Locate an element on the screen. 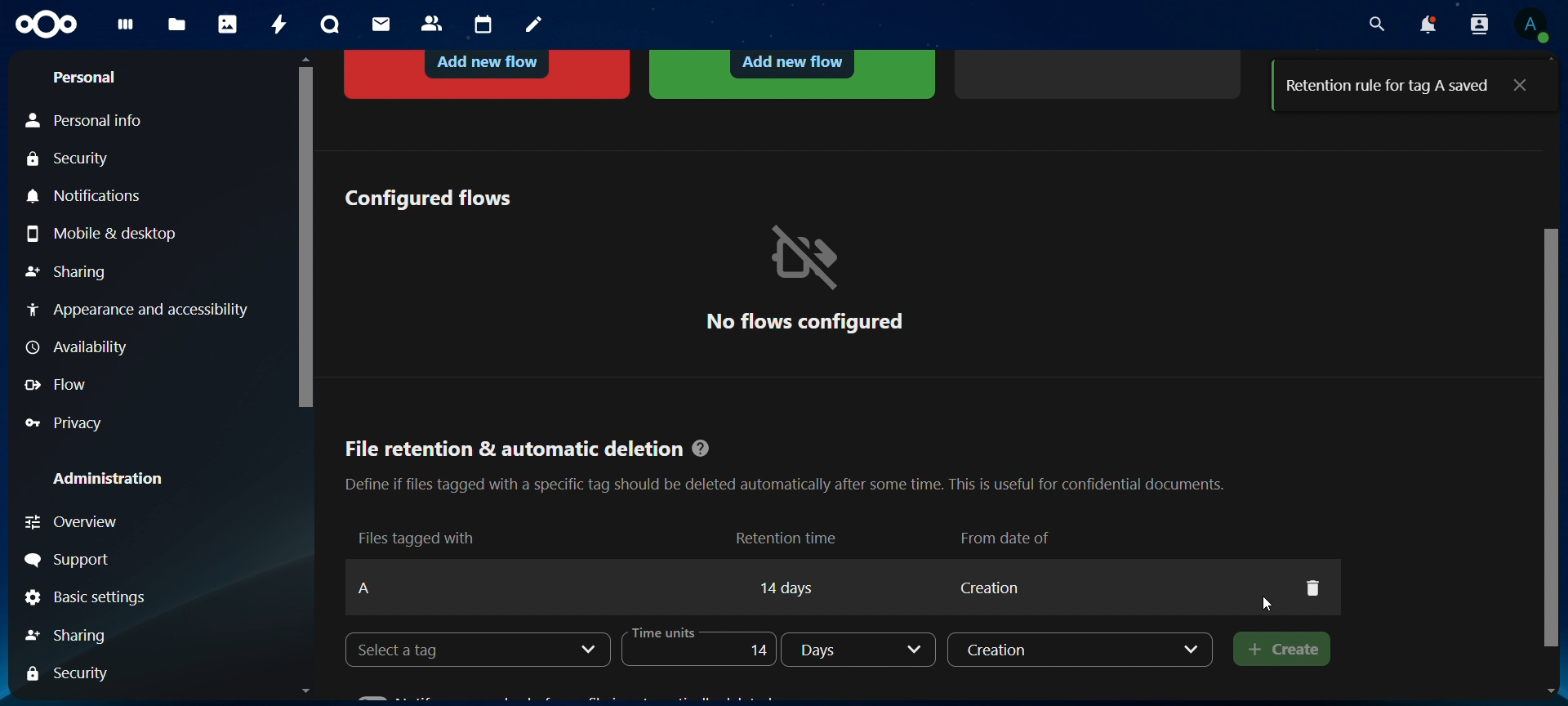 The image size is (1568, 706). view profile is located at coordinates (1531, 25).